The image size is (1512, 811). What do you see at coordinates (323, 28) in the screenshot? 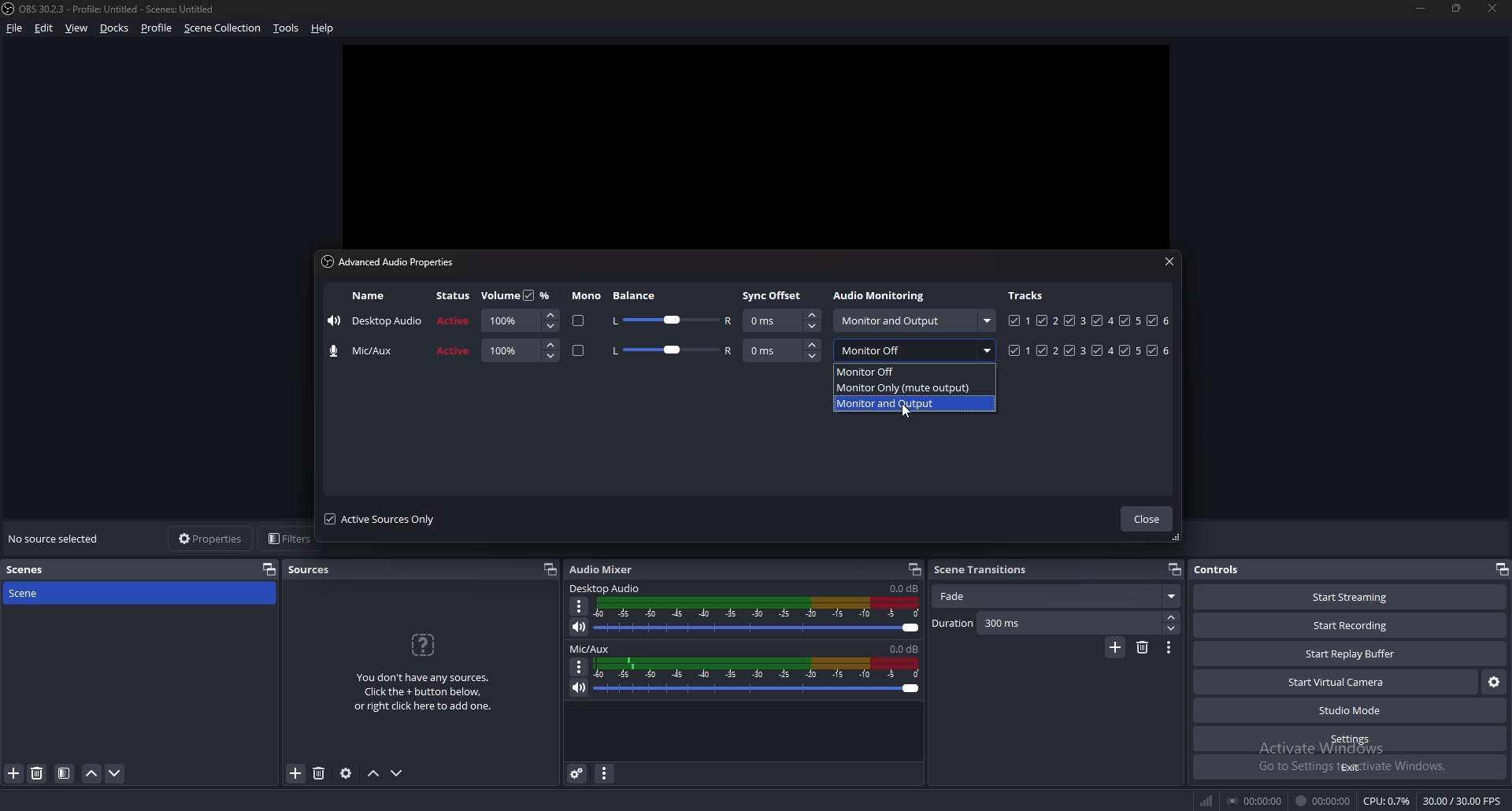
I see `help` at bounding box center [323, 28].